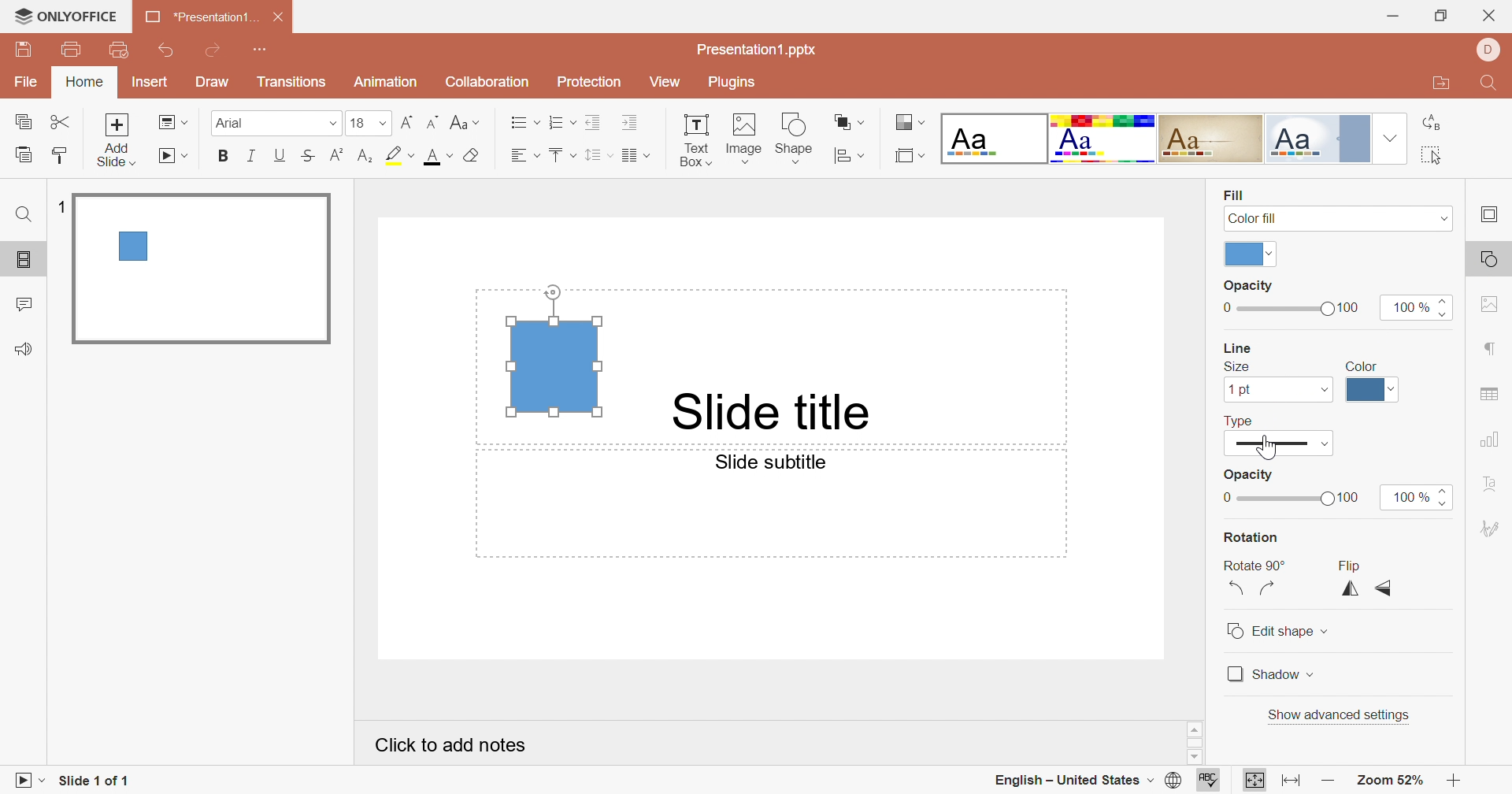 The width and height of the screenshot is (1512, 794). What do you see at coordinates (598, 158) in the screenshot?
I see `Line spacing` at bounding box center [598, 158].